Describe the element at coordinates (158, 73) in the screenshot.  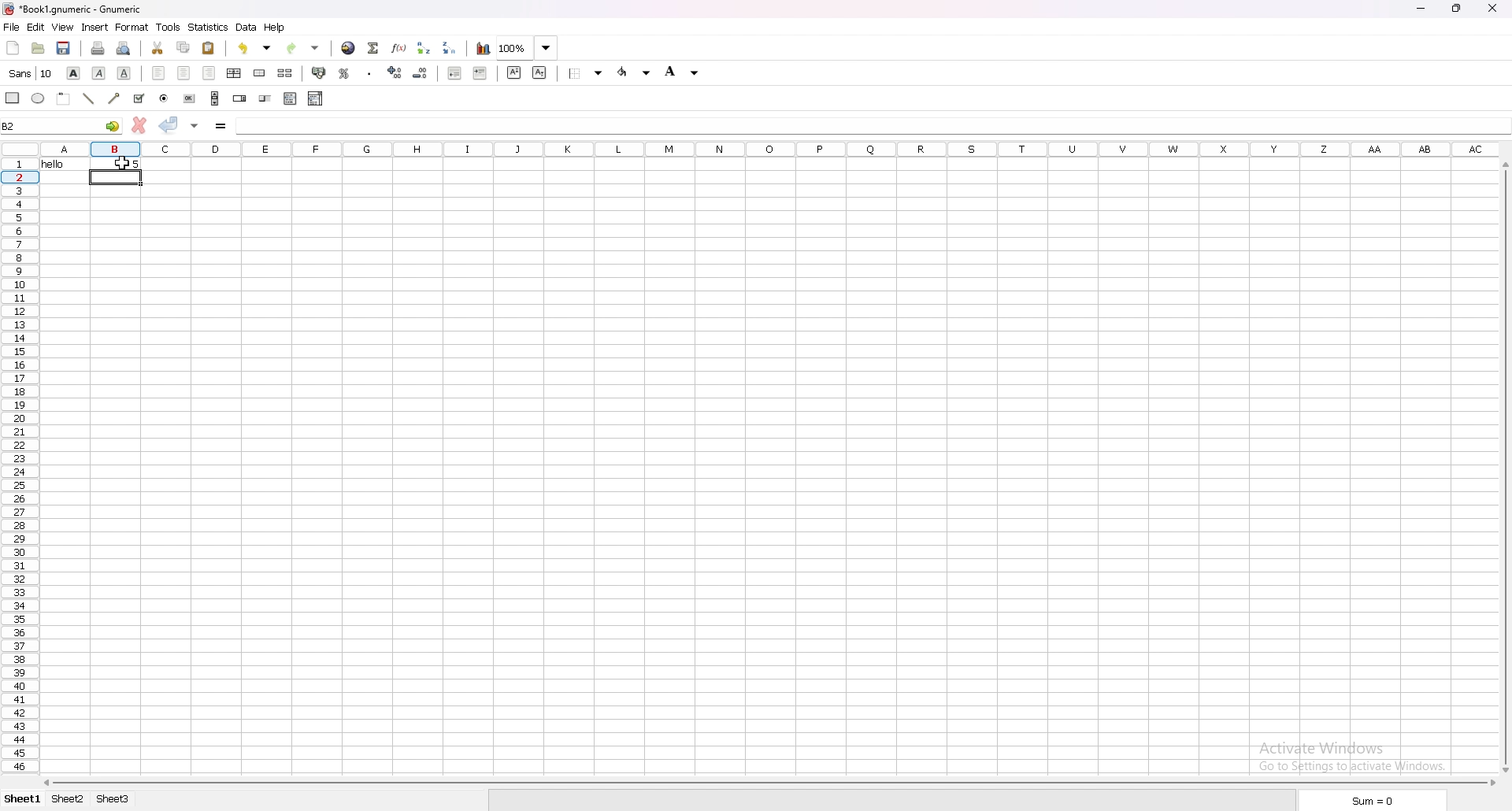
I see `align left` at that location.